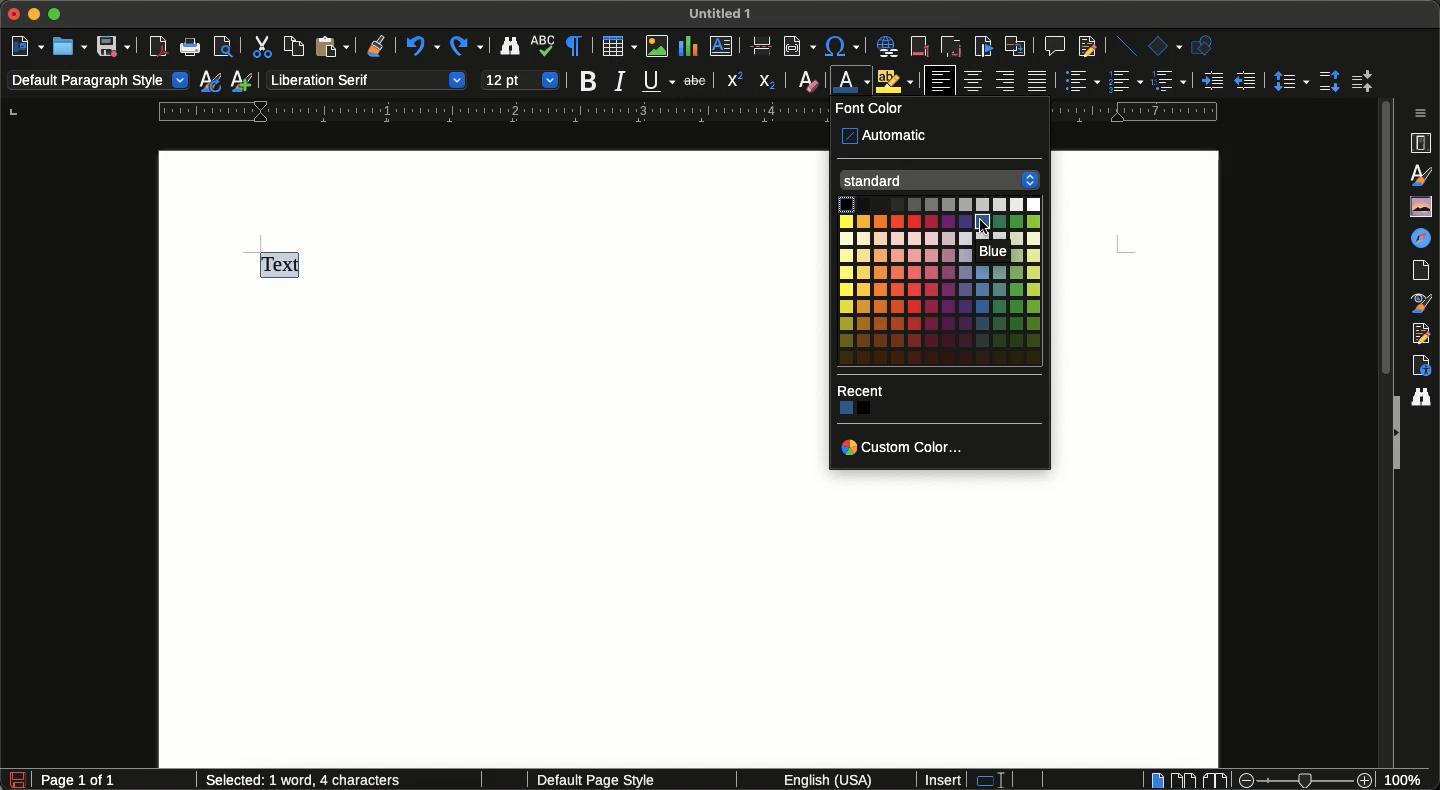  Describe the element at coordinates (808, 81) in the screenshot. I see `Clear direct formatting` at that location.